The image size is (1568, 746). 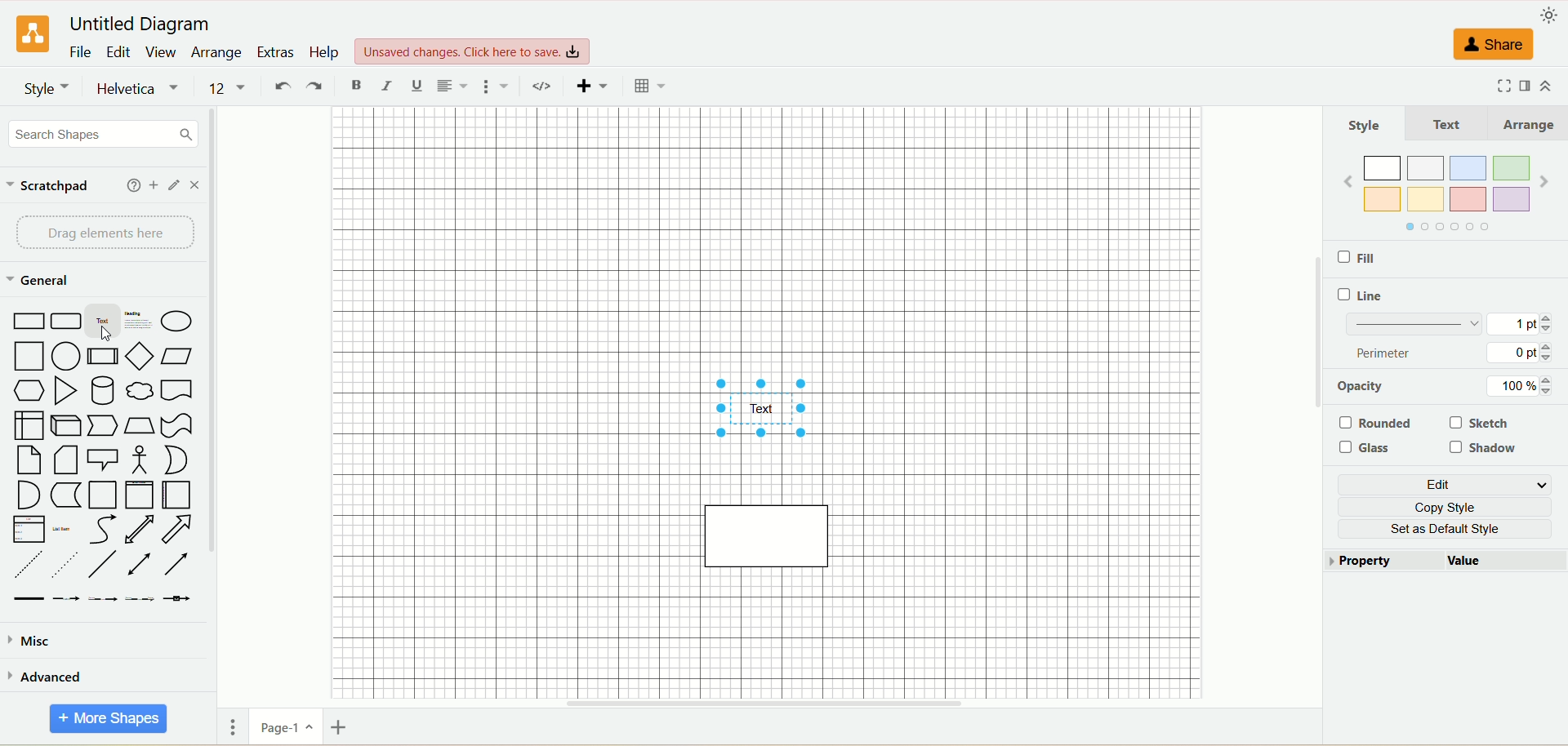 I want to click on colors, so click(x=1442, y=197).